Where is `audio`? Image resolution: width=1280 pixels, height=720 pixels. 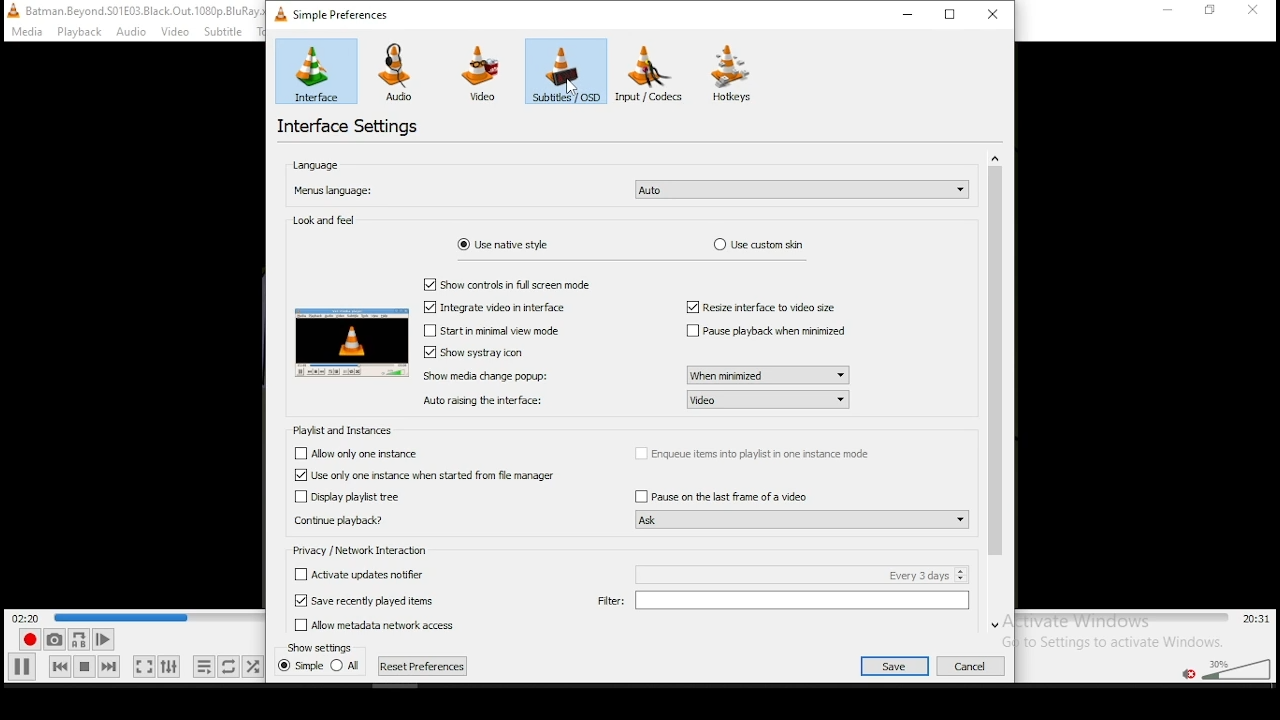 audio is located at coordinates (130, 33).